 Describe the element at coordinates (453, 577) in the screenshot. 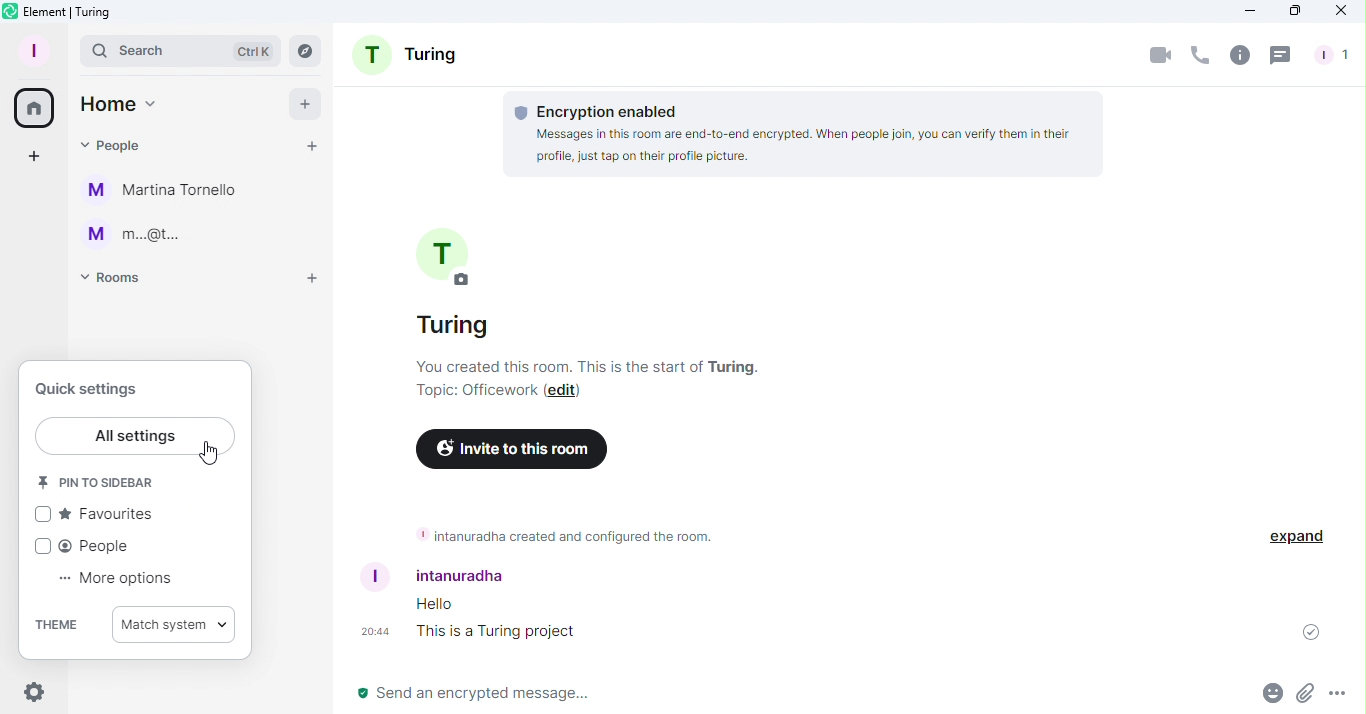

I see `Username` at that location.